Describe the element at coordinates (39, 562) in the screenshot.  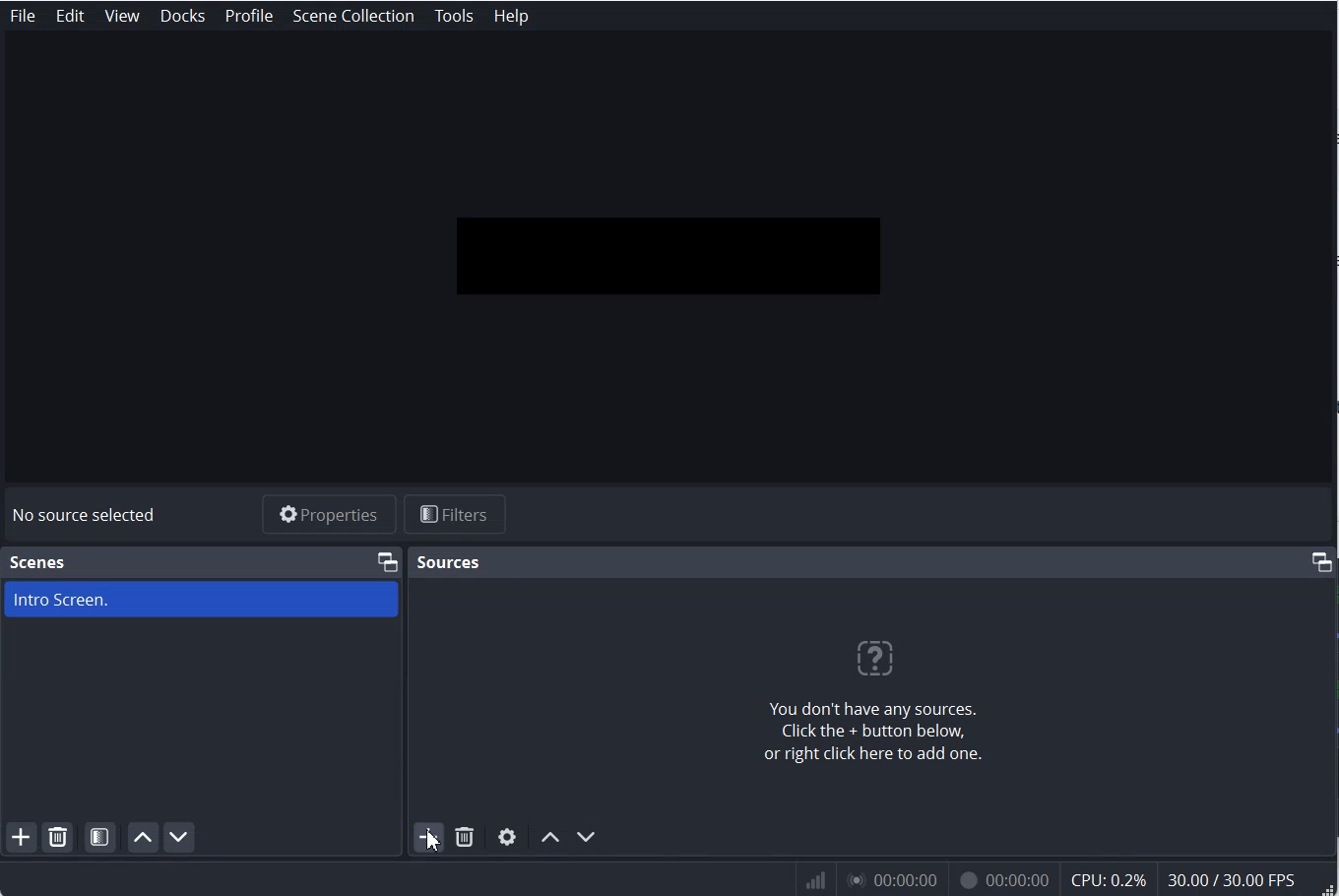
I see `Scene` at that location.